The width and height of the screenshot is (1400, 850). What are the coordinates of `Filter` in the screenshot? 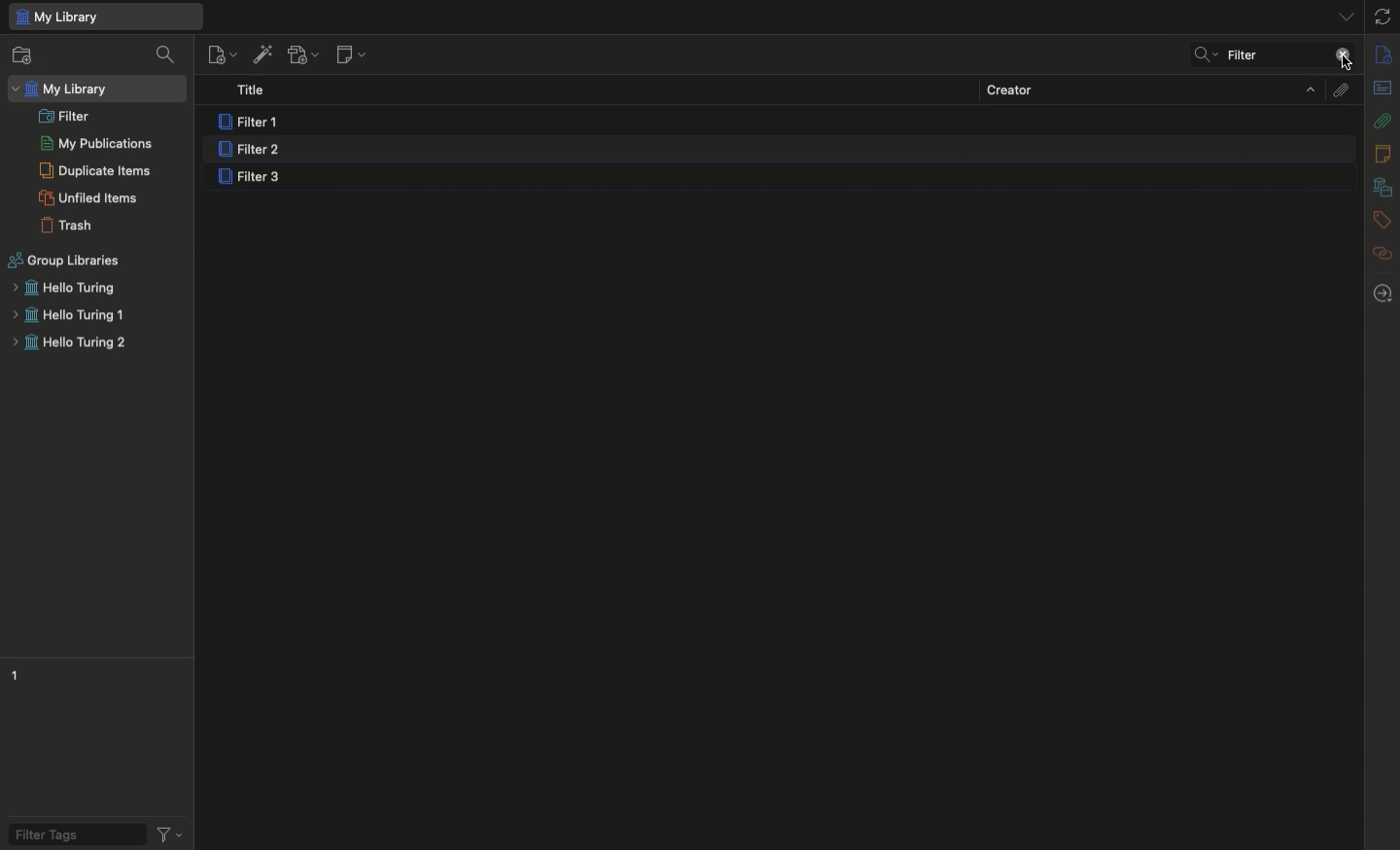 It's located at (65, 115).